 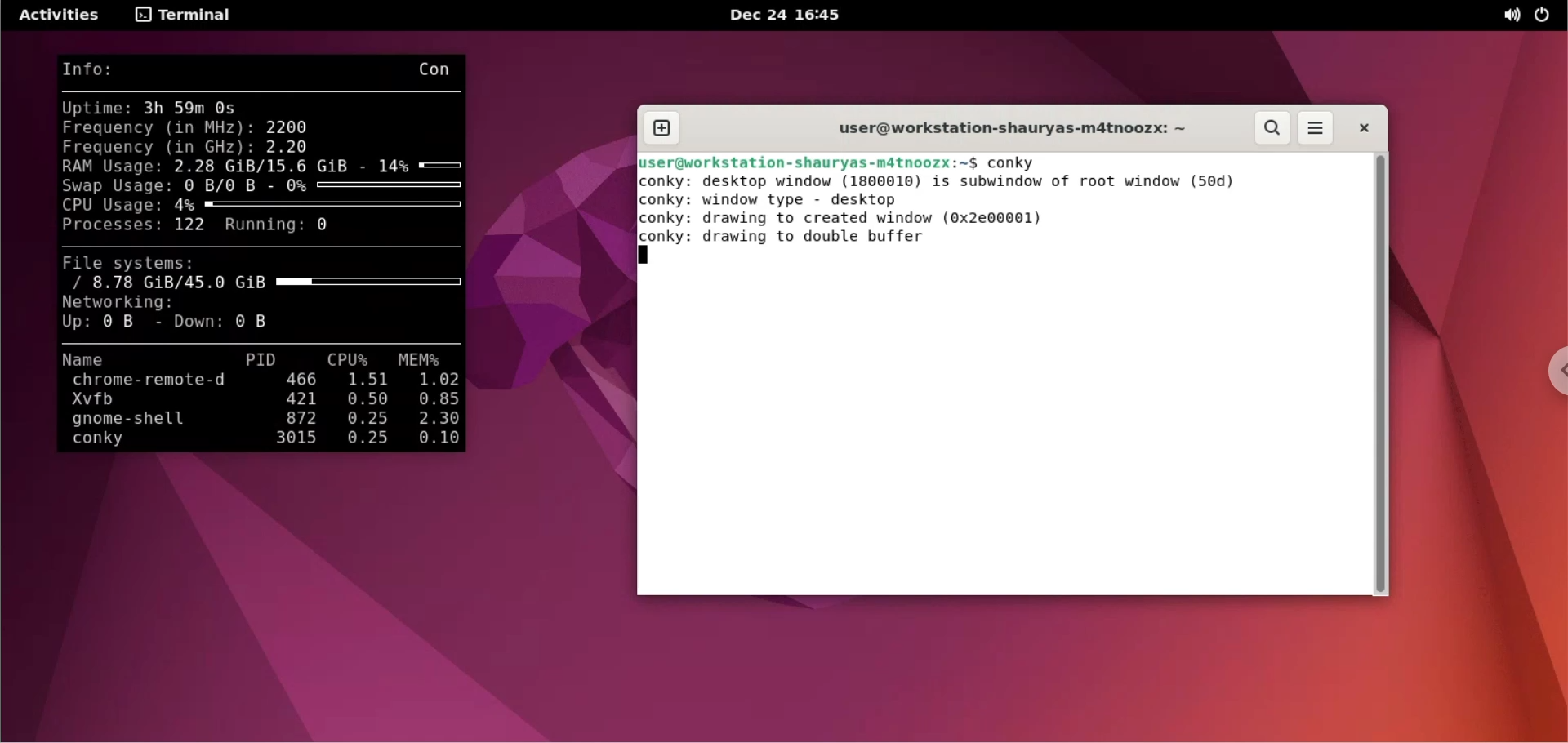 I want to click on PID, so click(x=262, y=358).